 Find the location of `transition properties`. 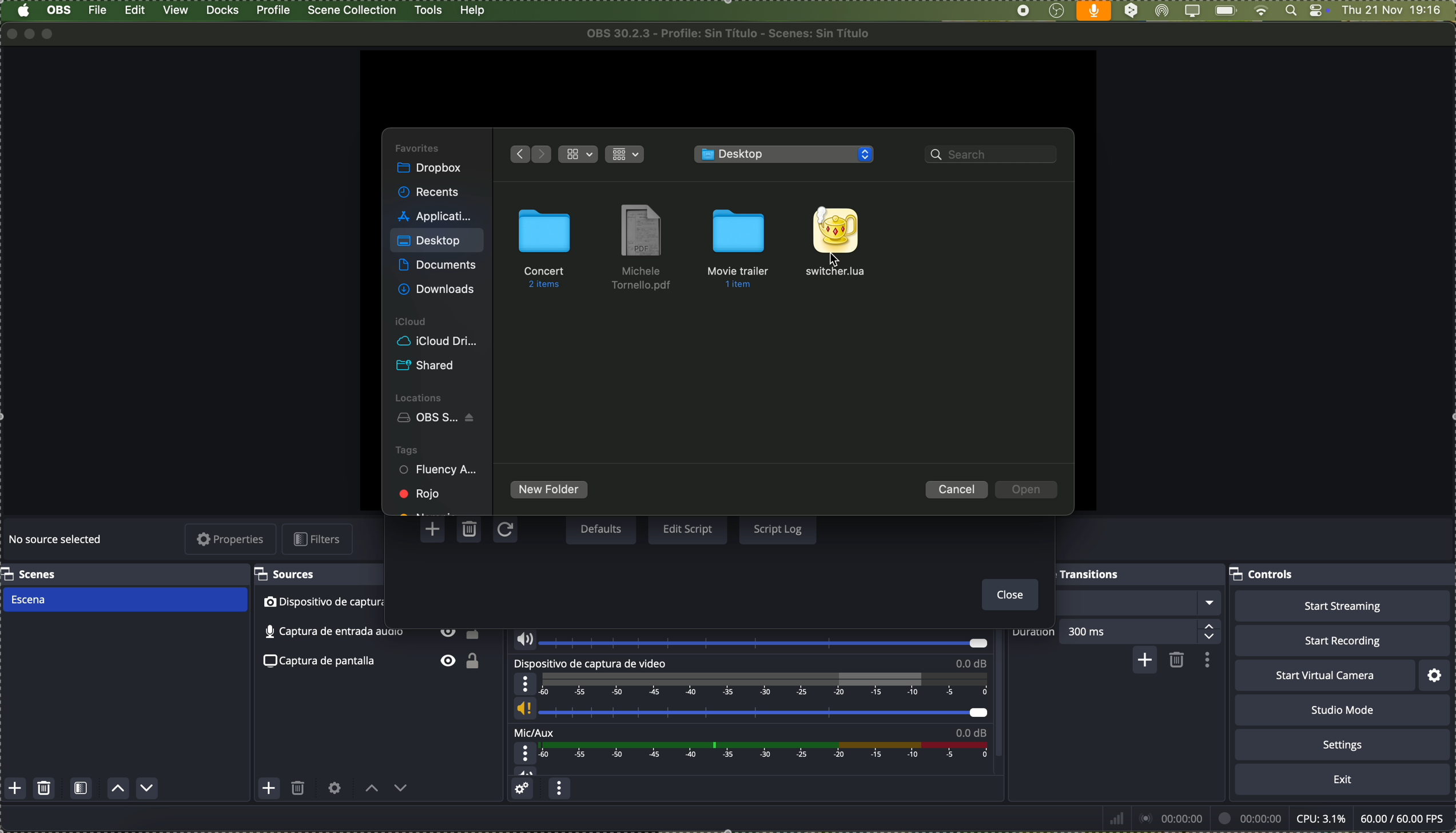

transition properties is located at coordinates (1206, 660).